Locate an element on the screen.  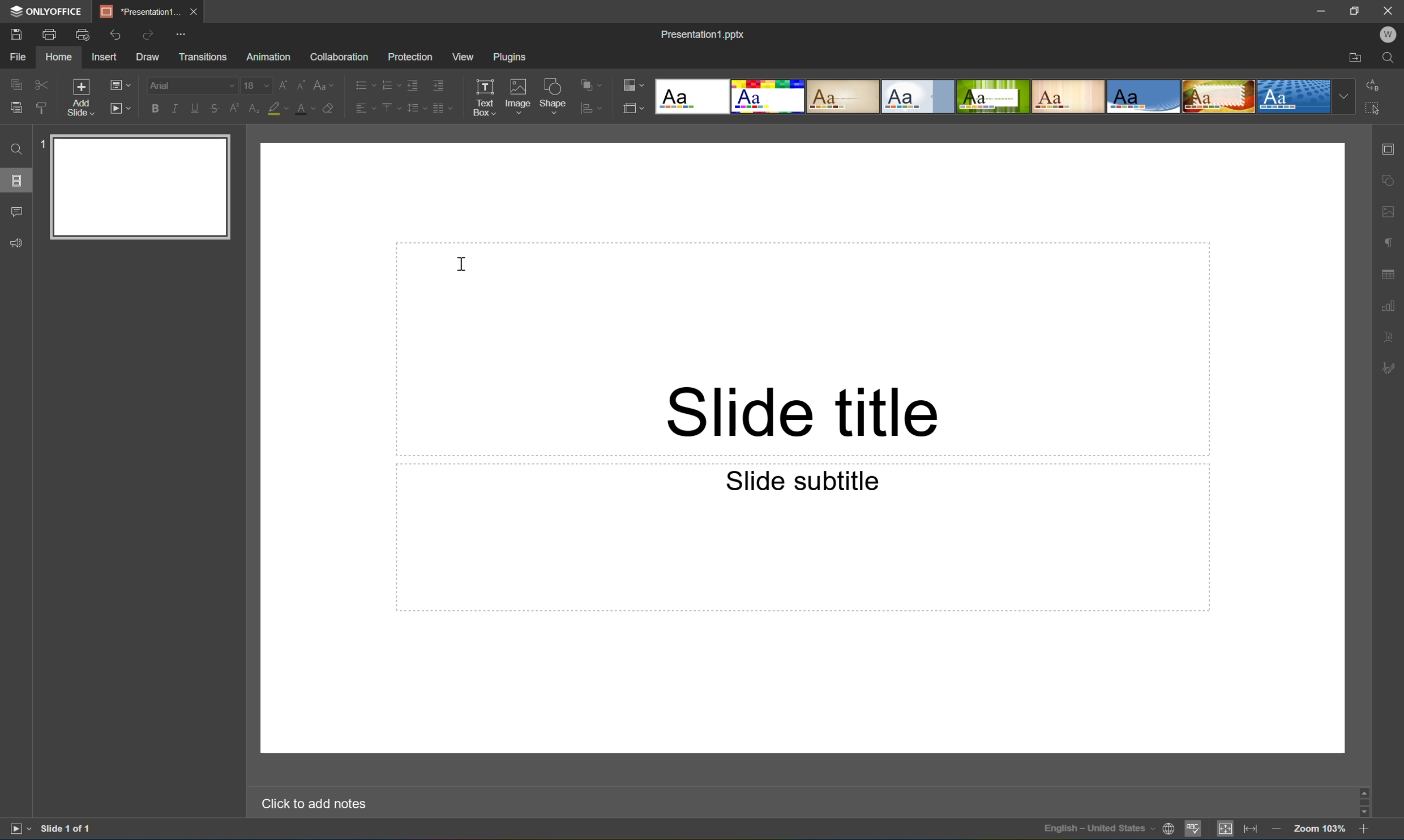
Change slide size is located at coordinates (632, 108).